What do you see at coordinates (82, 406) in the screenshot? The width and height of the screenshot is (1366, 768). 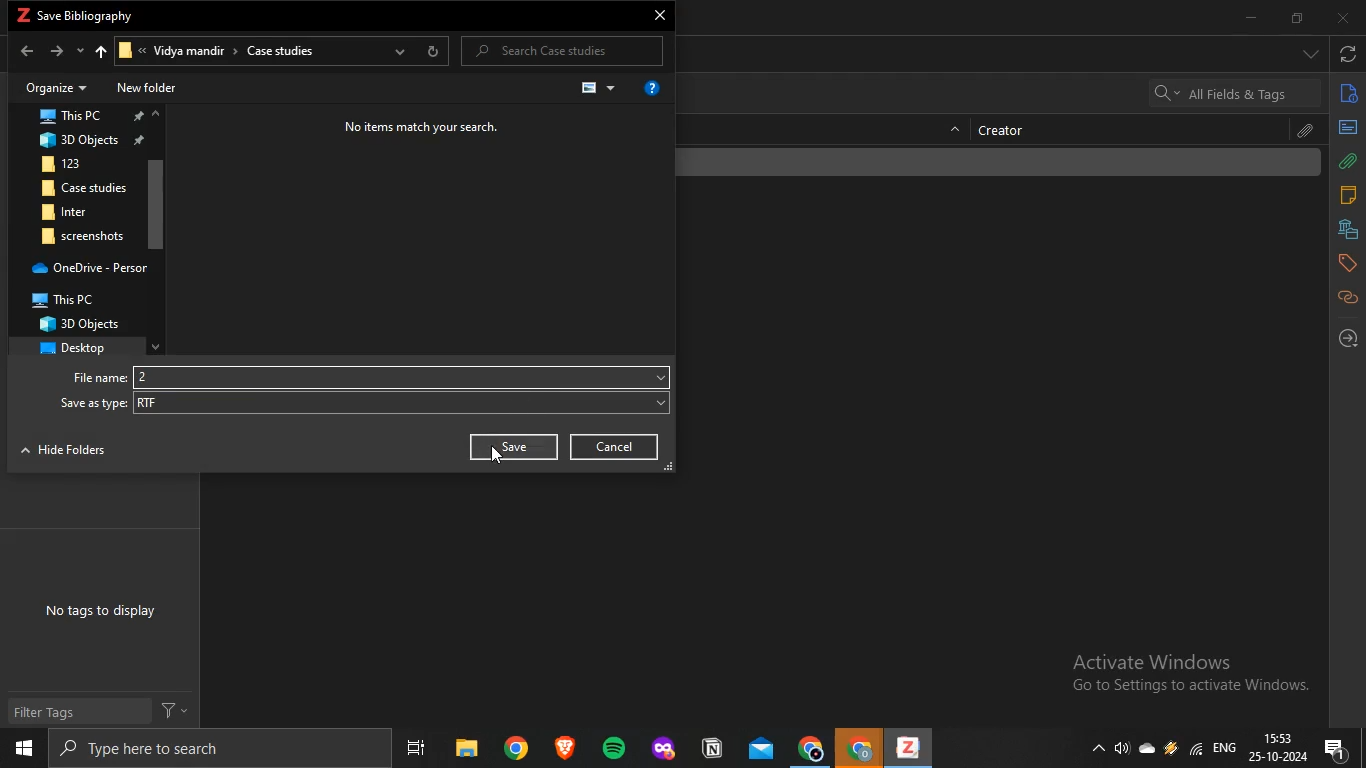 I see `‘Save as type:` at bounding box center [82, 406].